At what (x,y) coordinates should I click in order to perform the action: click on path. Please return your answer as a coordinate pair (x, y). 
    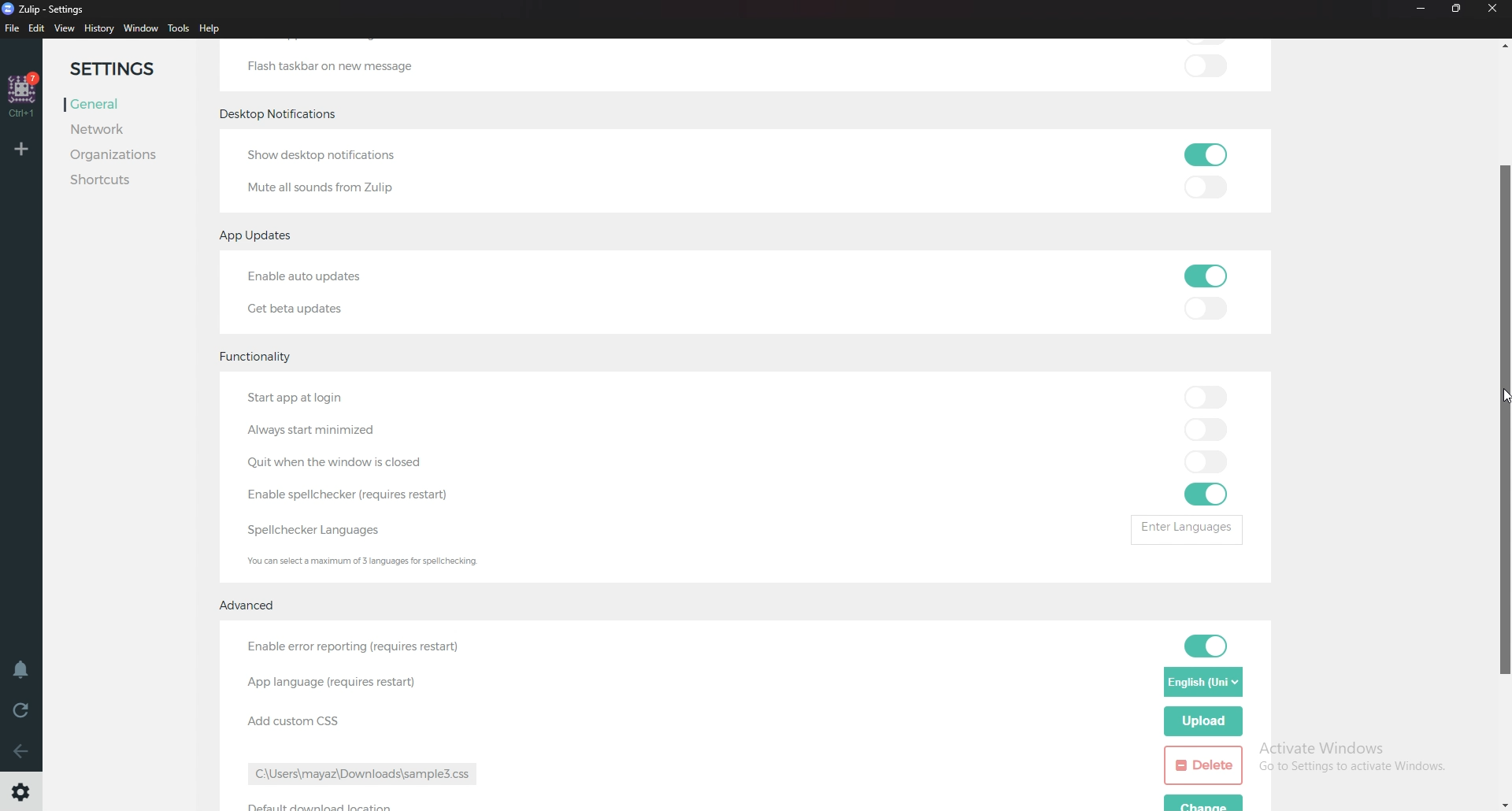
    Looking at the image, I should click on (369, 774).